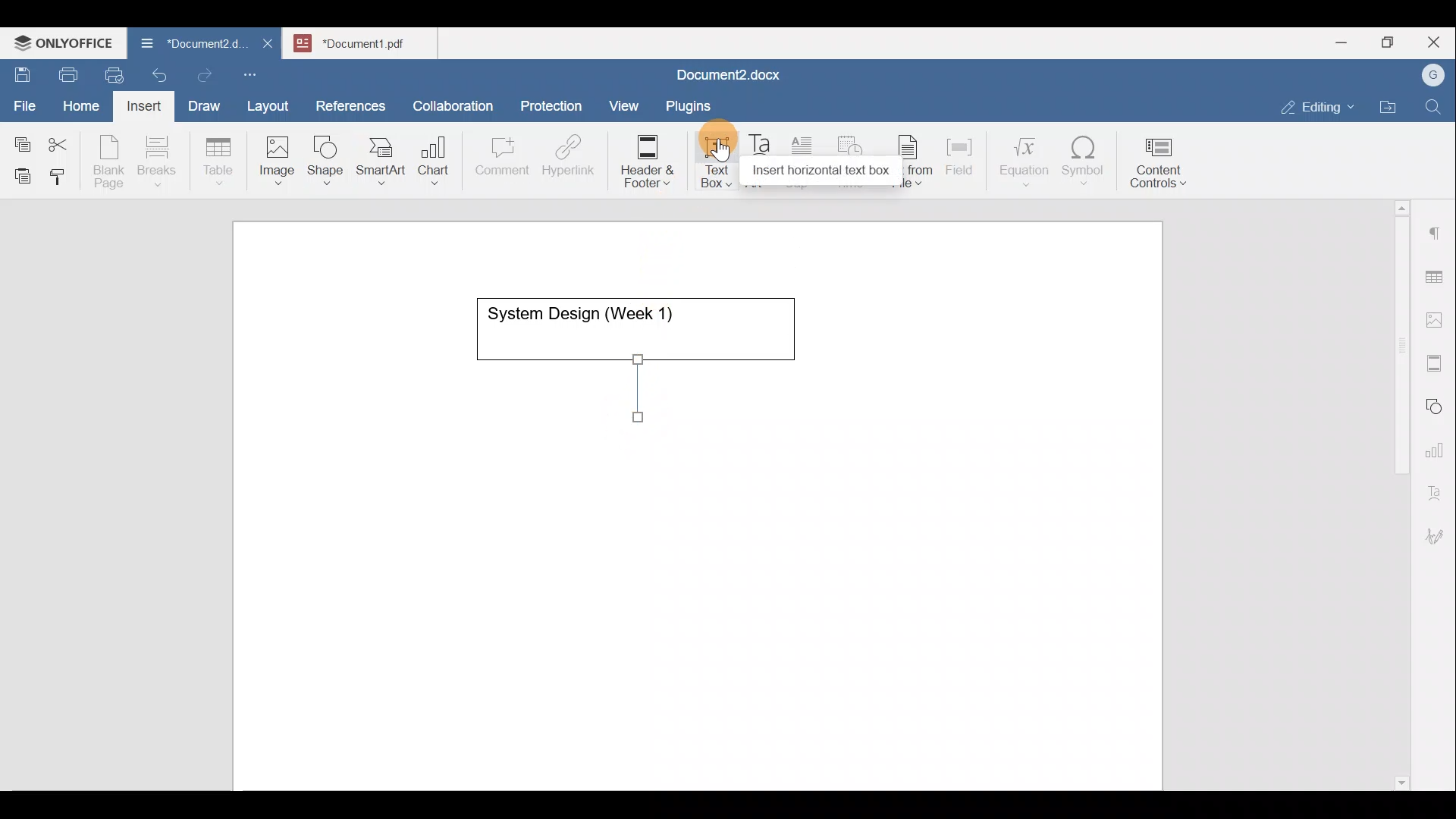  Describe the element at coordinates (268, 45) in the screenshot. I see `Close document` at that location.